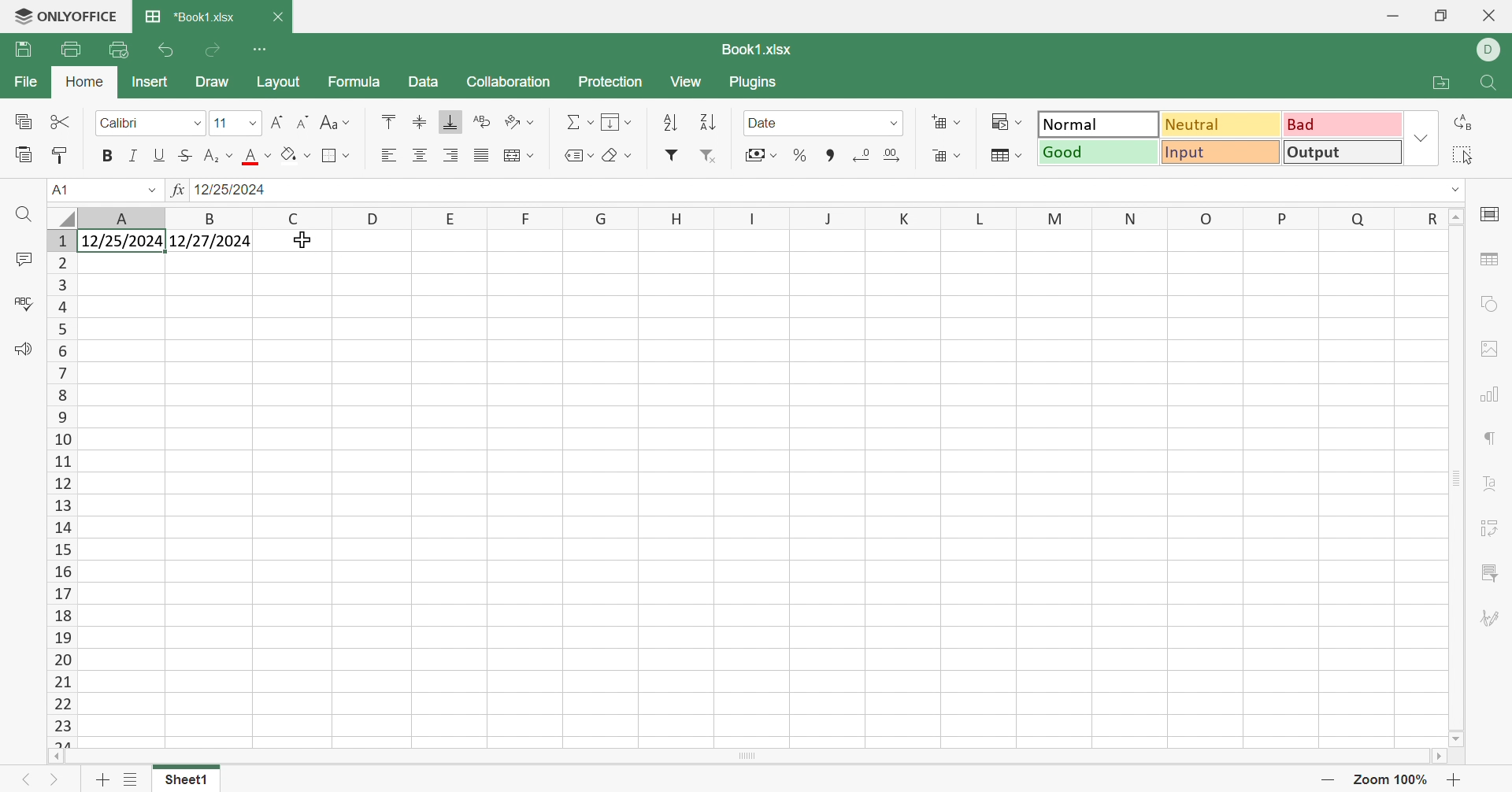 The image size is (1512, 792). I want to click on Comments, so click(22, 258).